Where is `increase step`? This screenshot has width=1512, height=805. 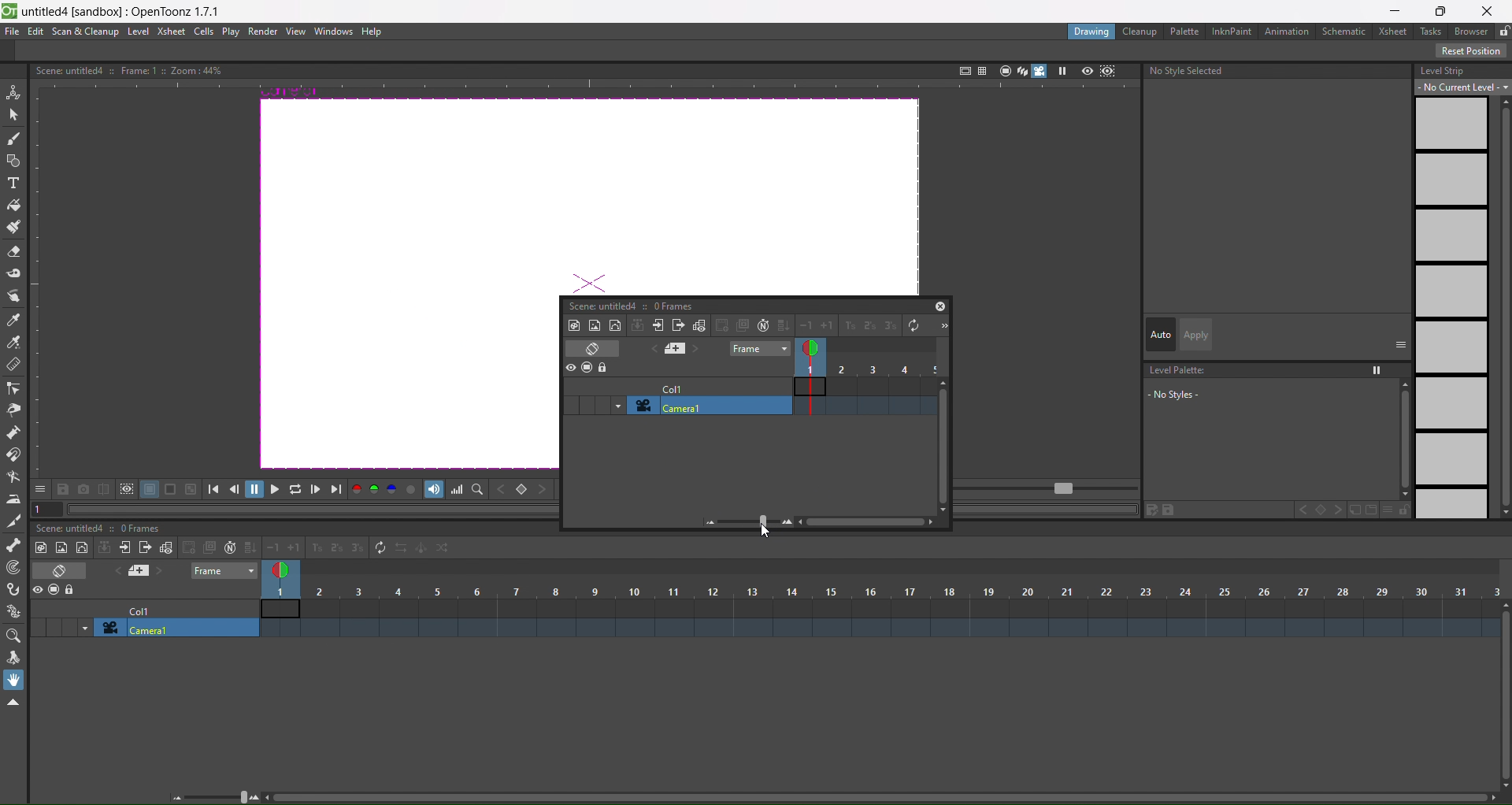
increase step is located at coordinates (847, 327).